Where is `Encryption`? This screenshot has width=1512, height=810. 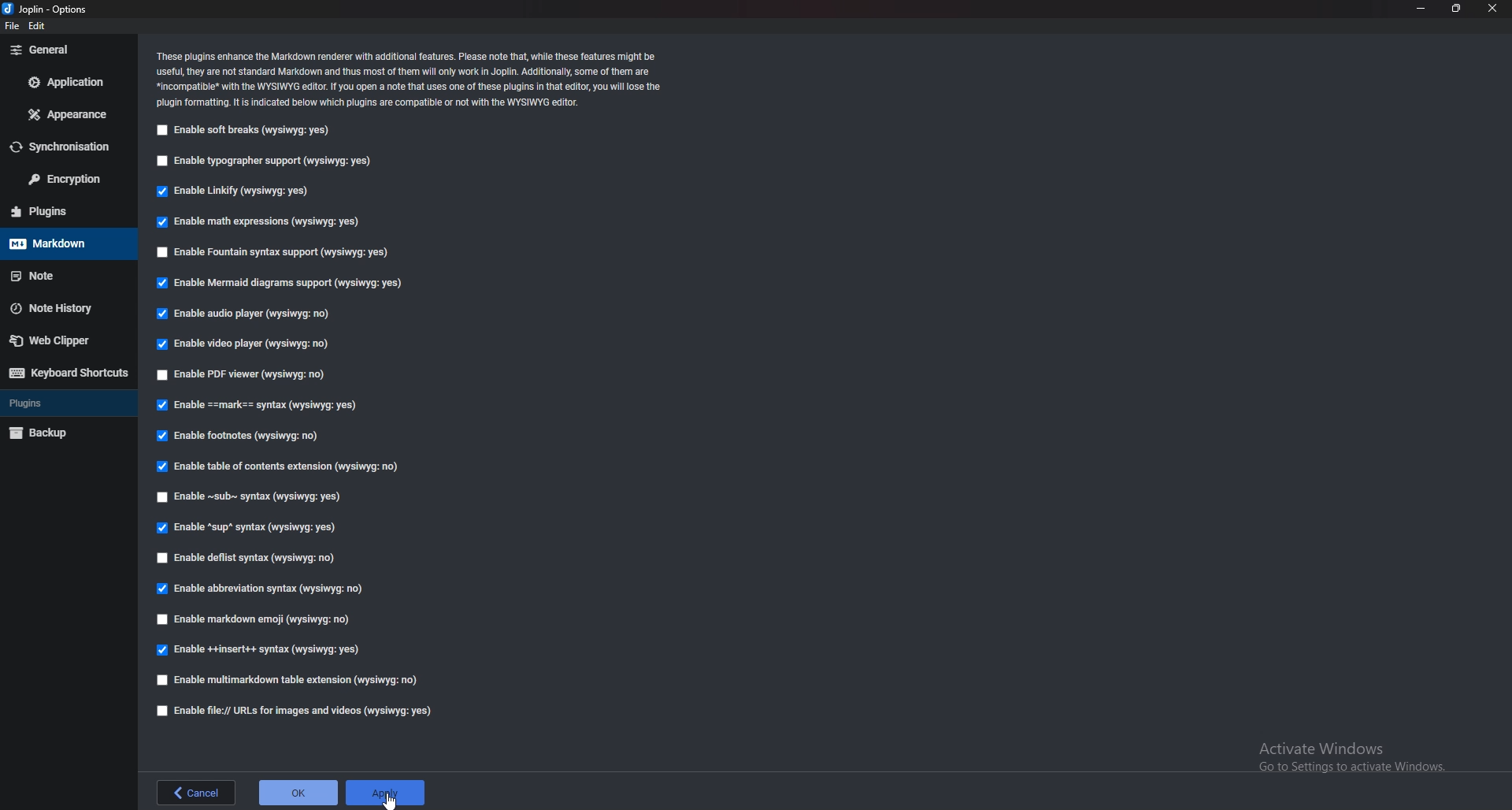
Encryption is located at coordinates (63, 179).